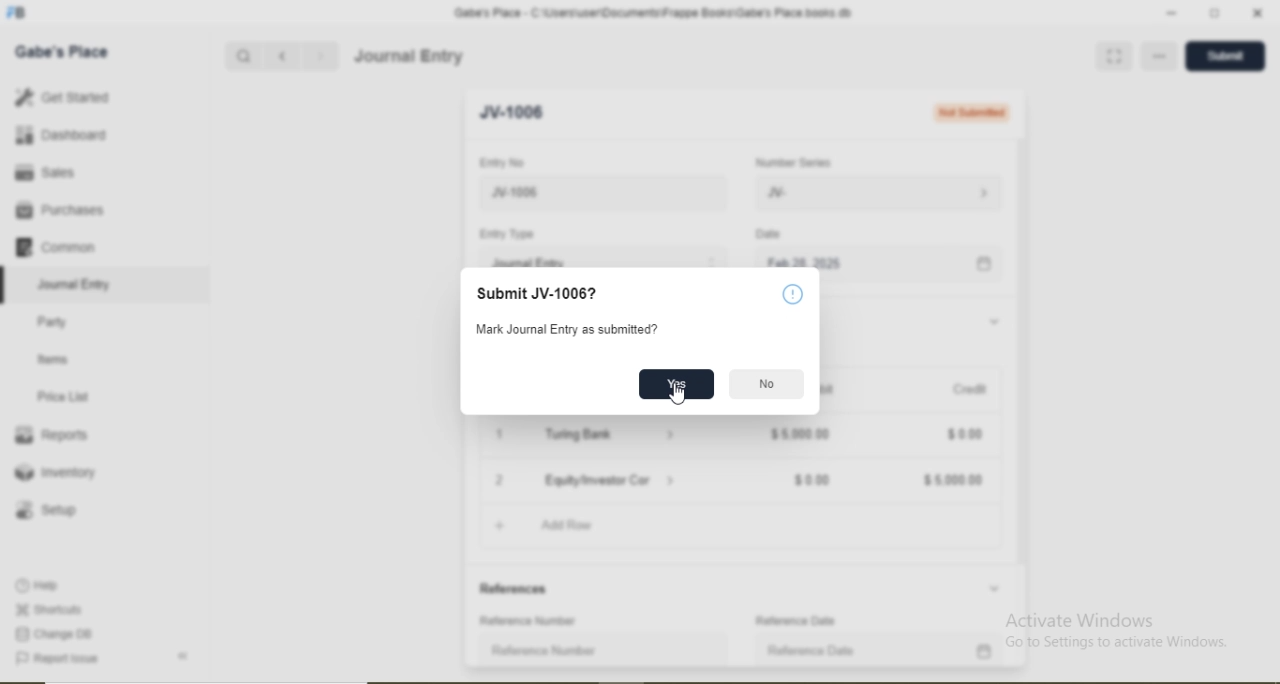 This screenshot has height=684, width=1280. Describe the element at coordinates (1023, 375) in the screenshot. I see `Scroll bar` at that location.